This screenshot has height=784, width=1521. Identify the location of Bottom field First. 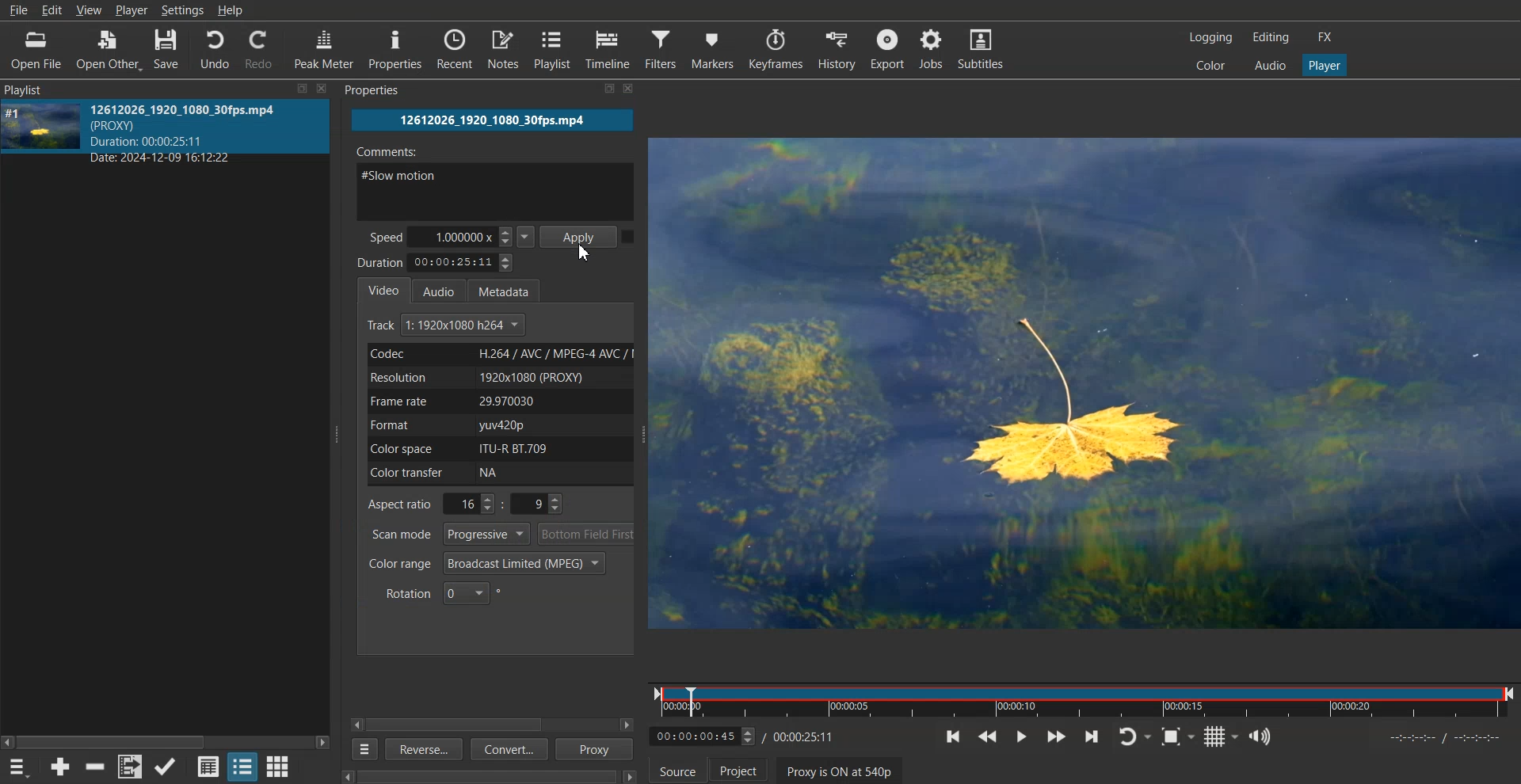
(587, 534).